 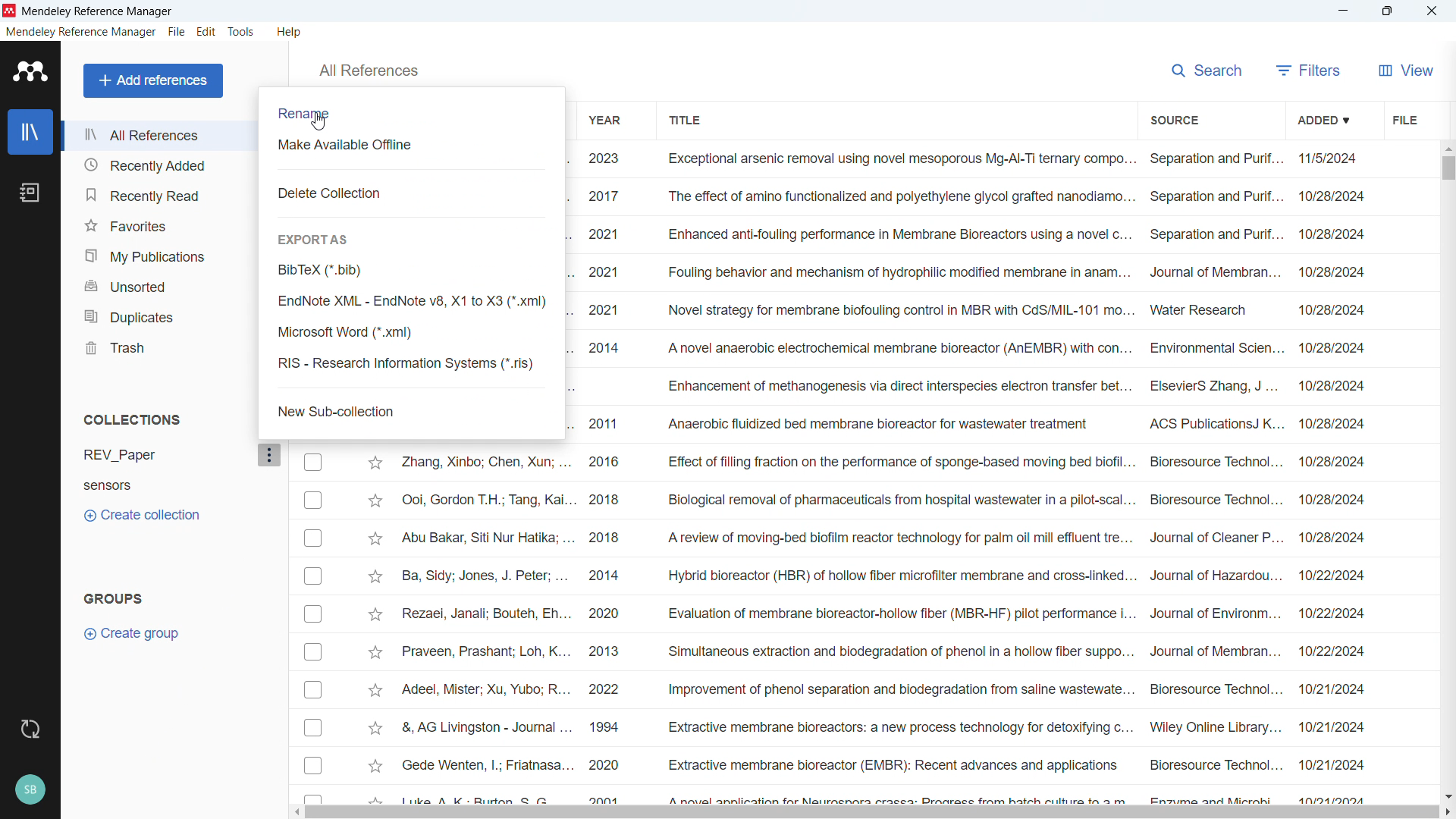 What do you see at coordinates (1390, 11) in the screenshot?
I see `maximise ` at bounding box center [1390, 11].